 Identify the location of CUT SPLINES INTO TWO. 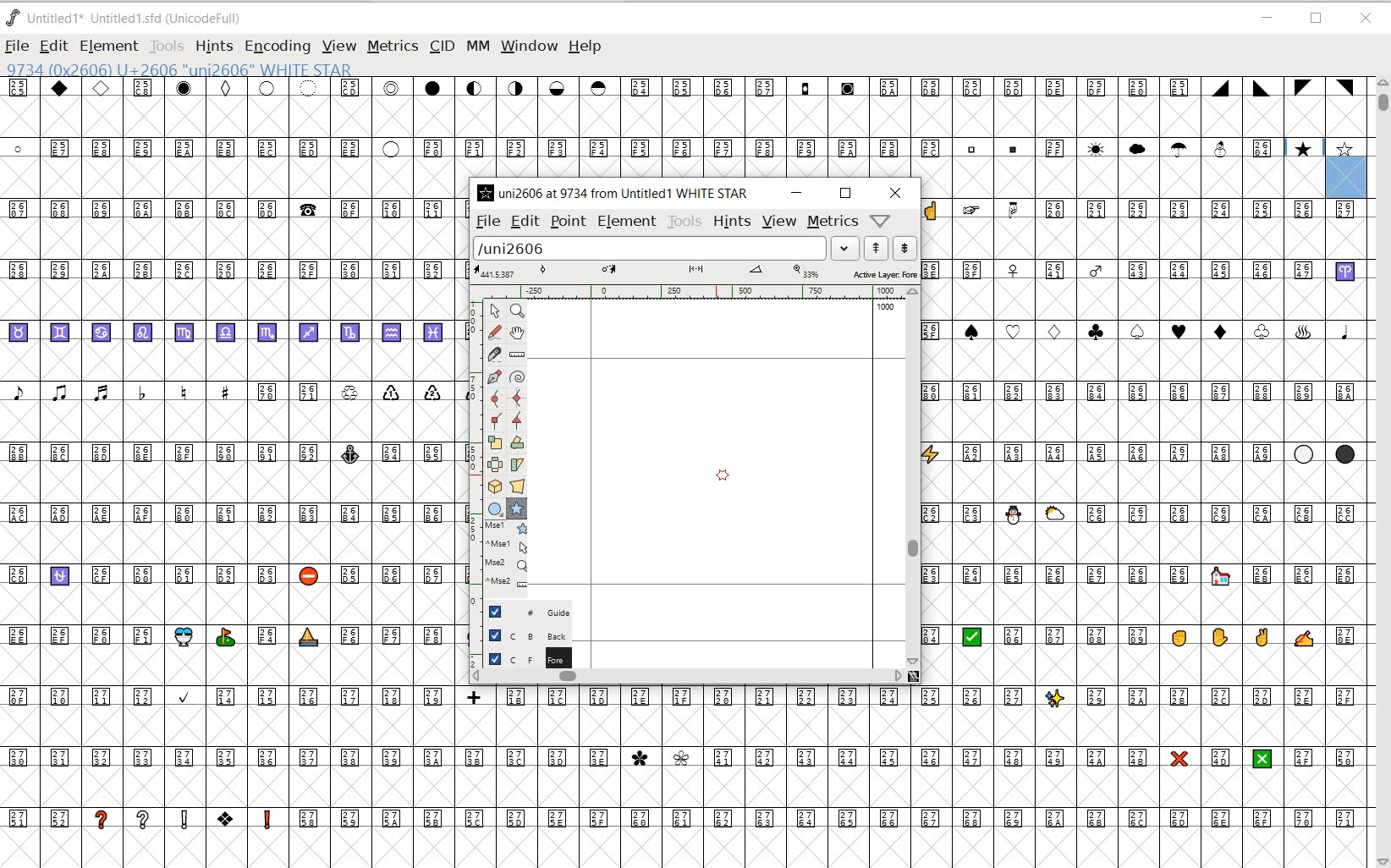
(495, 354).